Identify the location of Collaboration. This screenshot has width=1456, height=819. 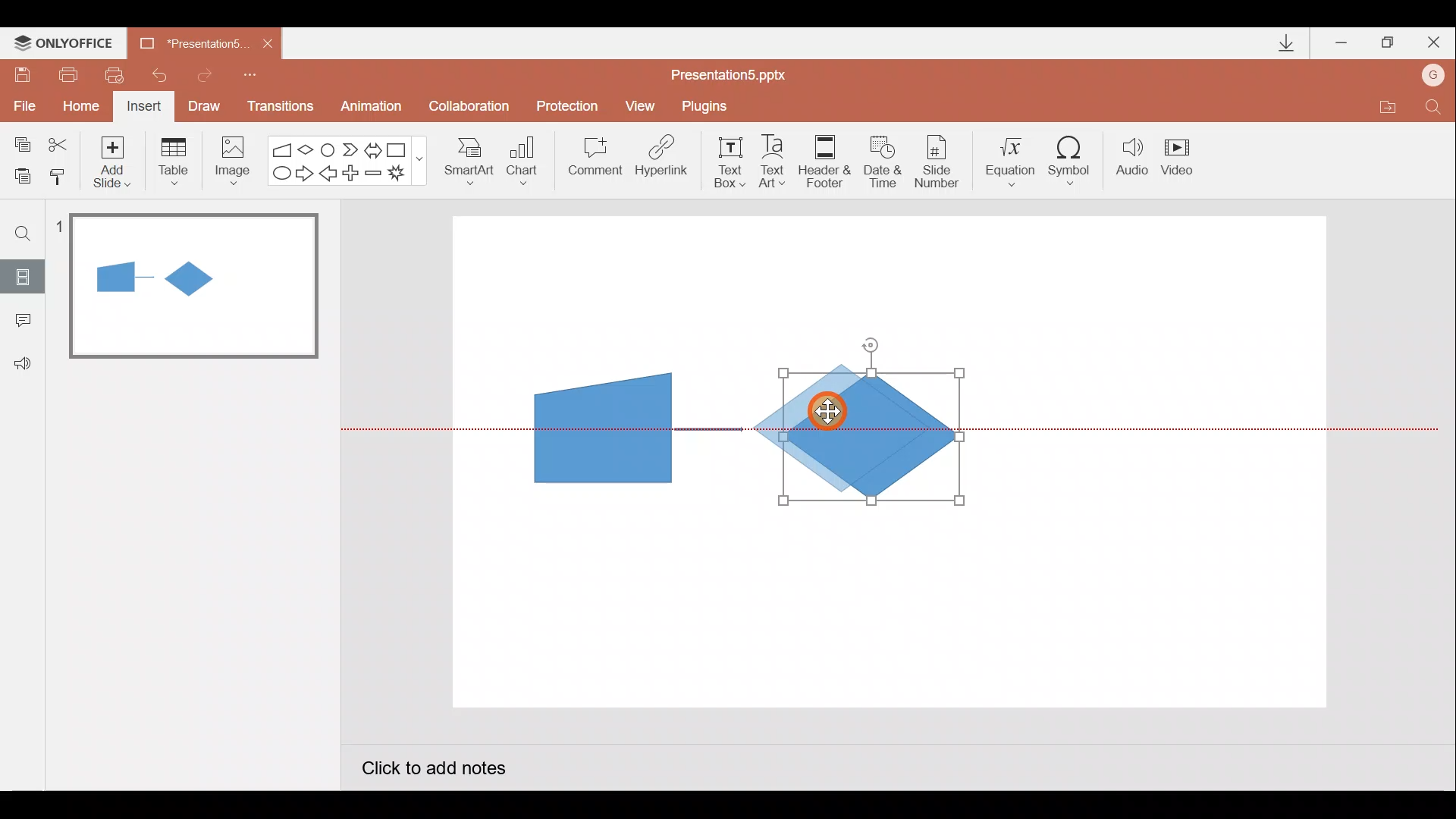
(472, 108).